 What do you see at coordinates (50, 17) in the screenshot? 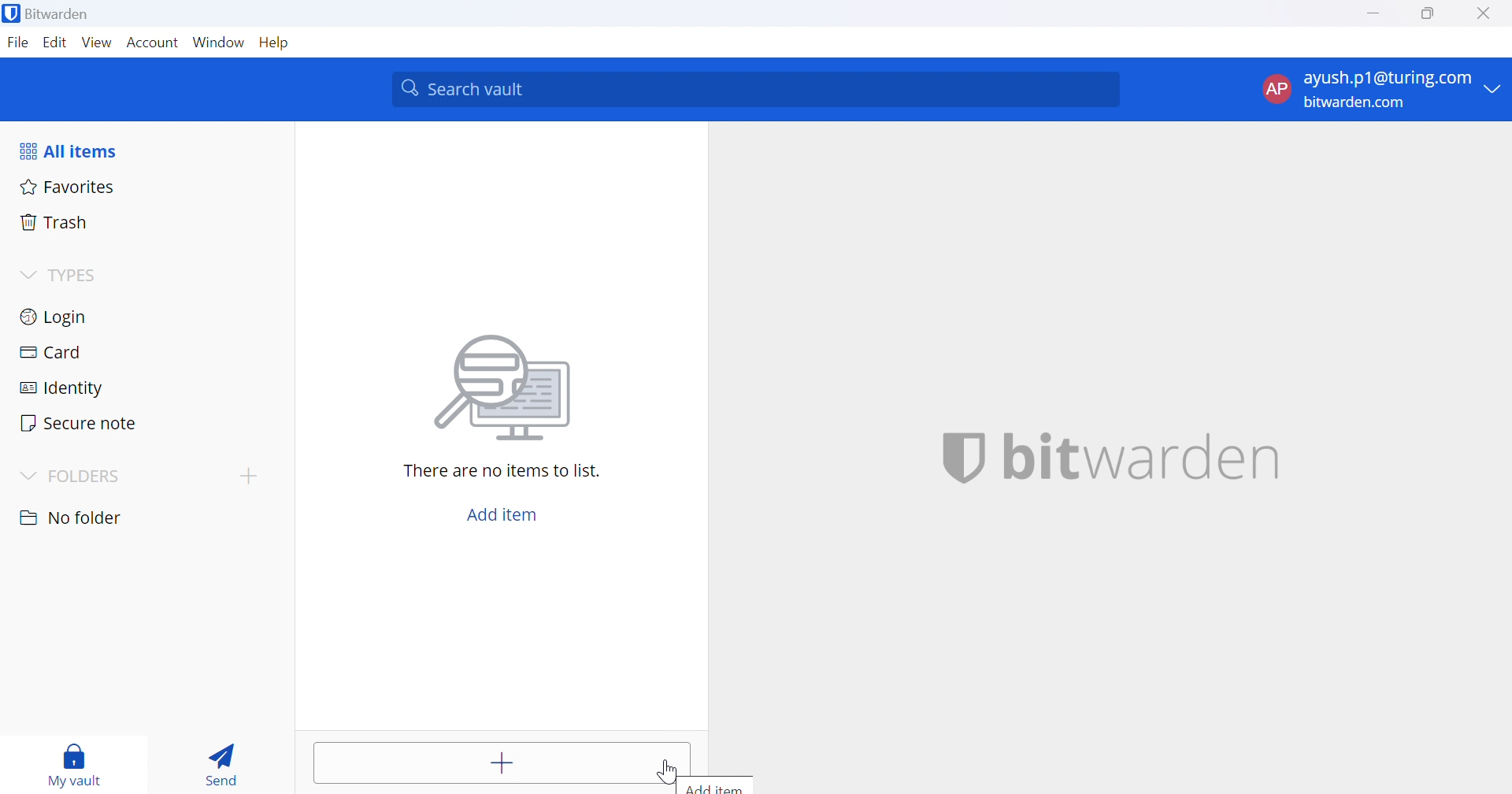
I see `Bitwarden` at bounding box center [50, 17].